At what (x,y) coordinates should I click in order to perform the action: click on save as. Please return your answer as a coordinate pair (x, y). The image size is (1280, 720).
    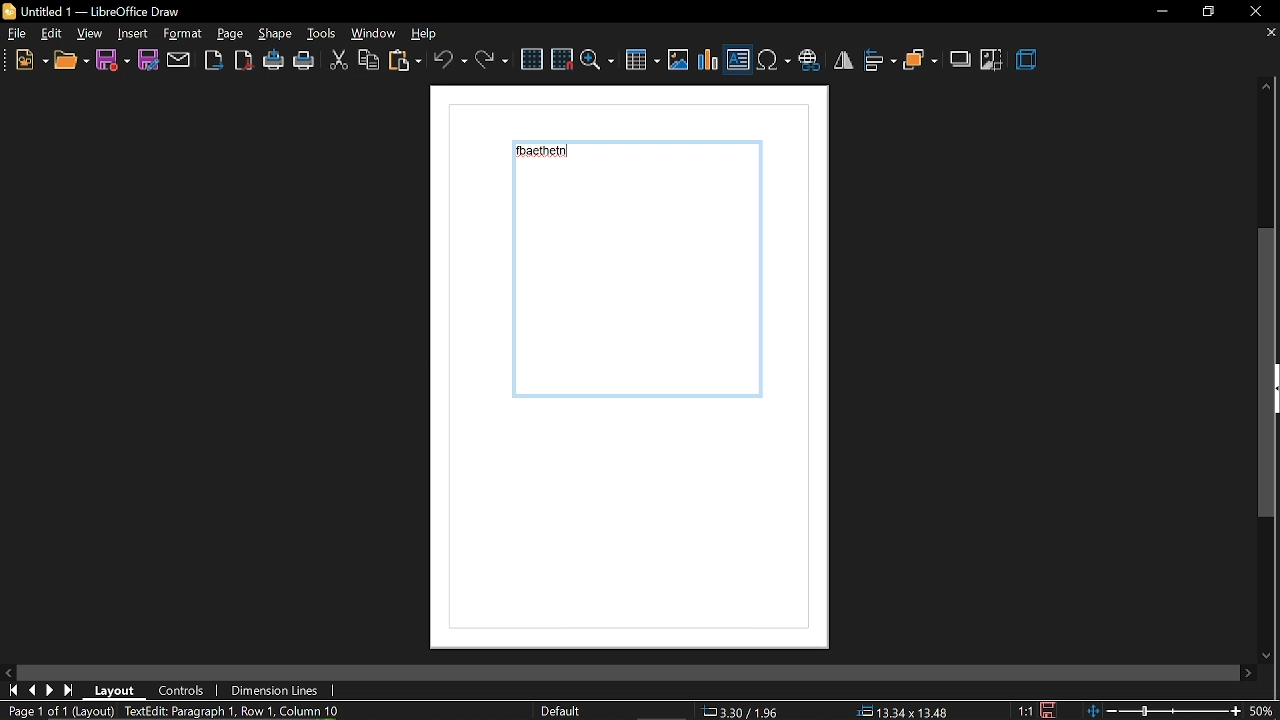
    Looking at the image, I should click on (146, 59).